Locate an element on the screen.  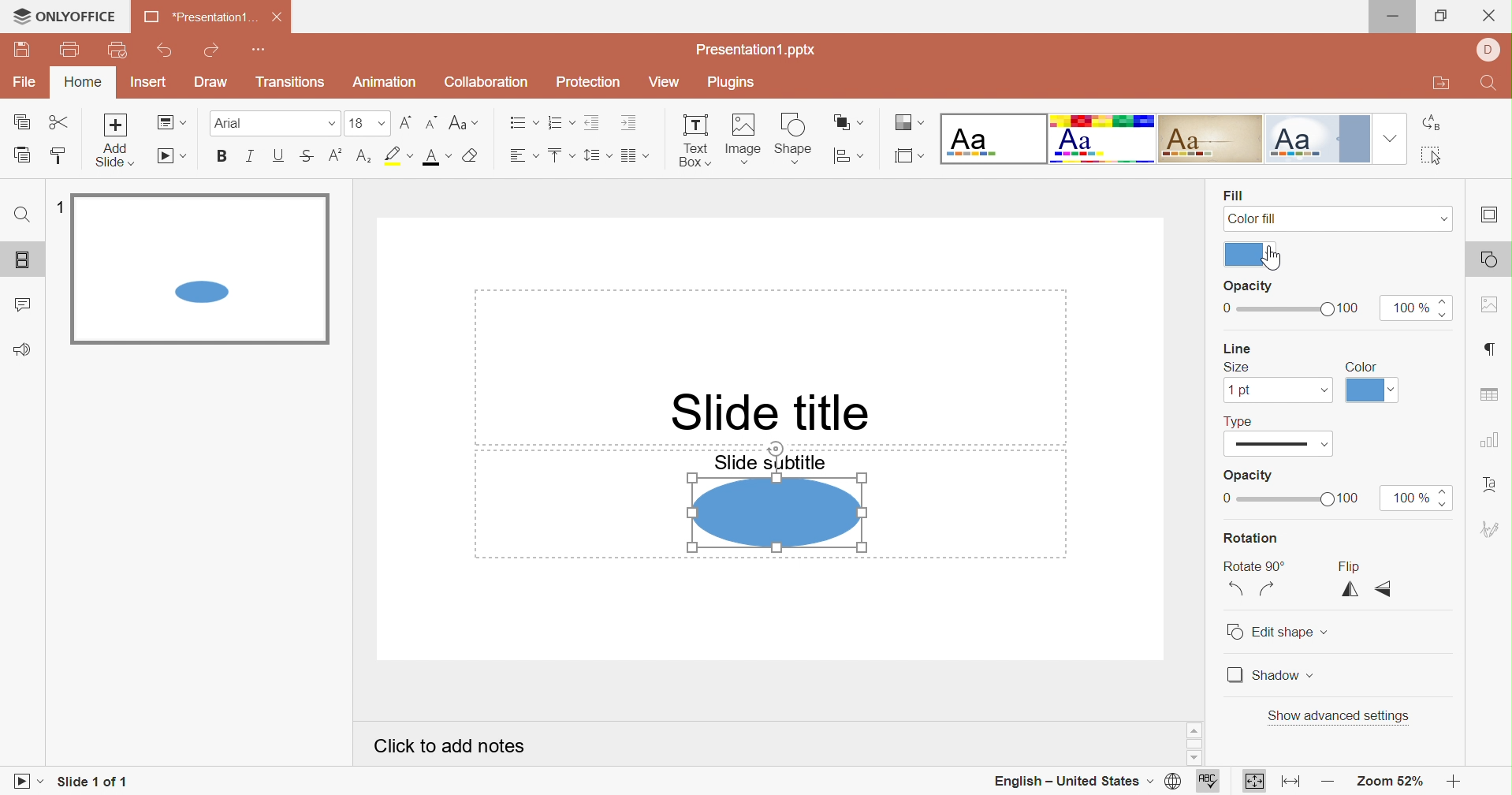
Insert columns is located at coordinates (636, 156).